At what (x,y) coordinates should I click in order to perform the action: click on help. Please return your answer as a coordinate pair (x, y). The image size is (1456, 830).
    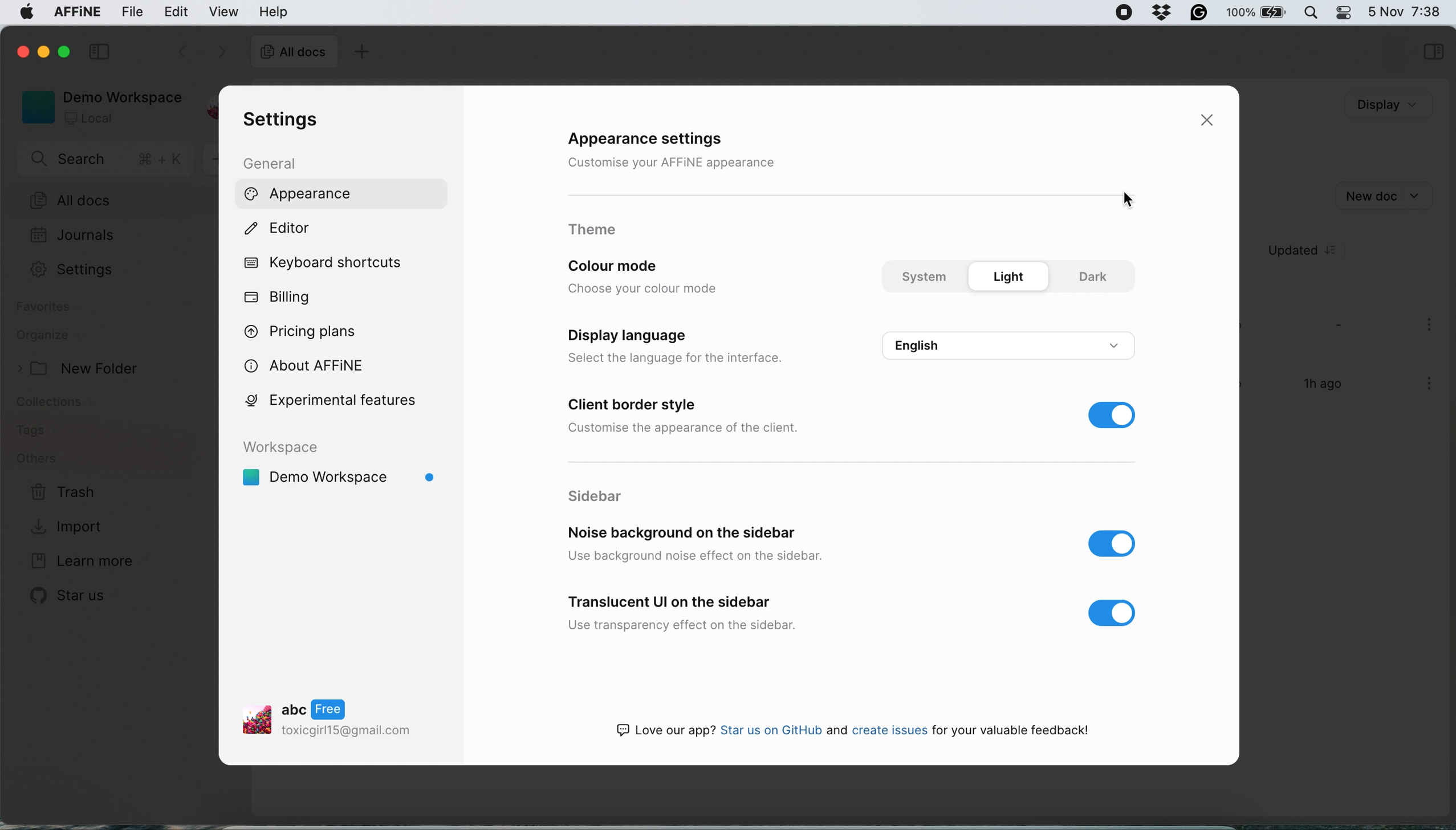
    Looking at the image, I should click on (274, 11).